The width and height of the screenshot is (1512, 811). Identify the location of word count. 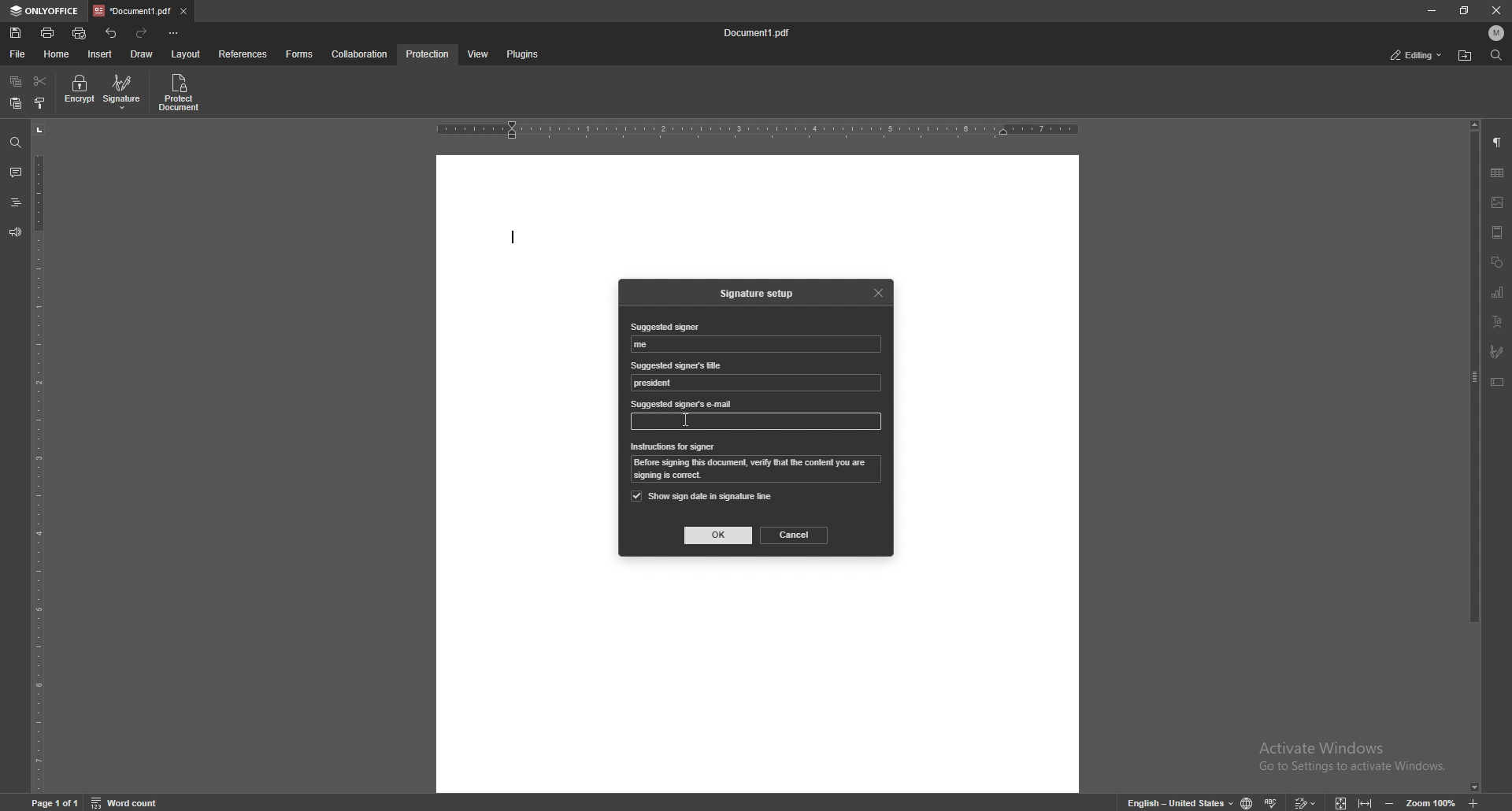
(135, 802).